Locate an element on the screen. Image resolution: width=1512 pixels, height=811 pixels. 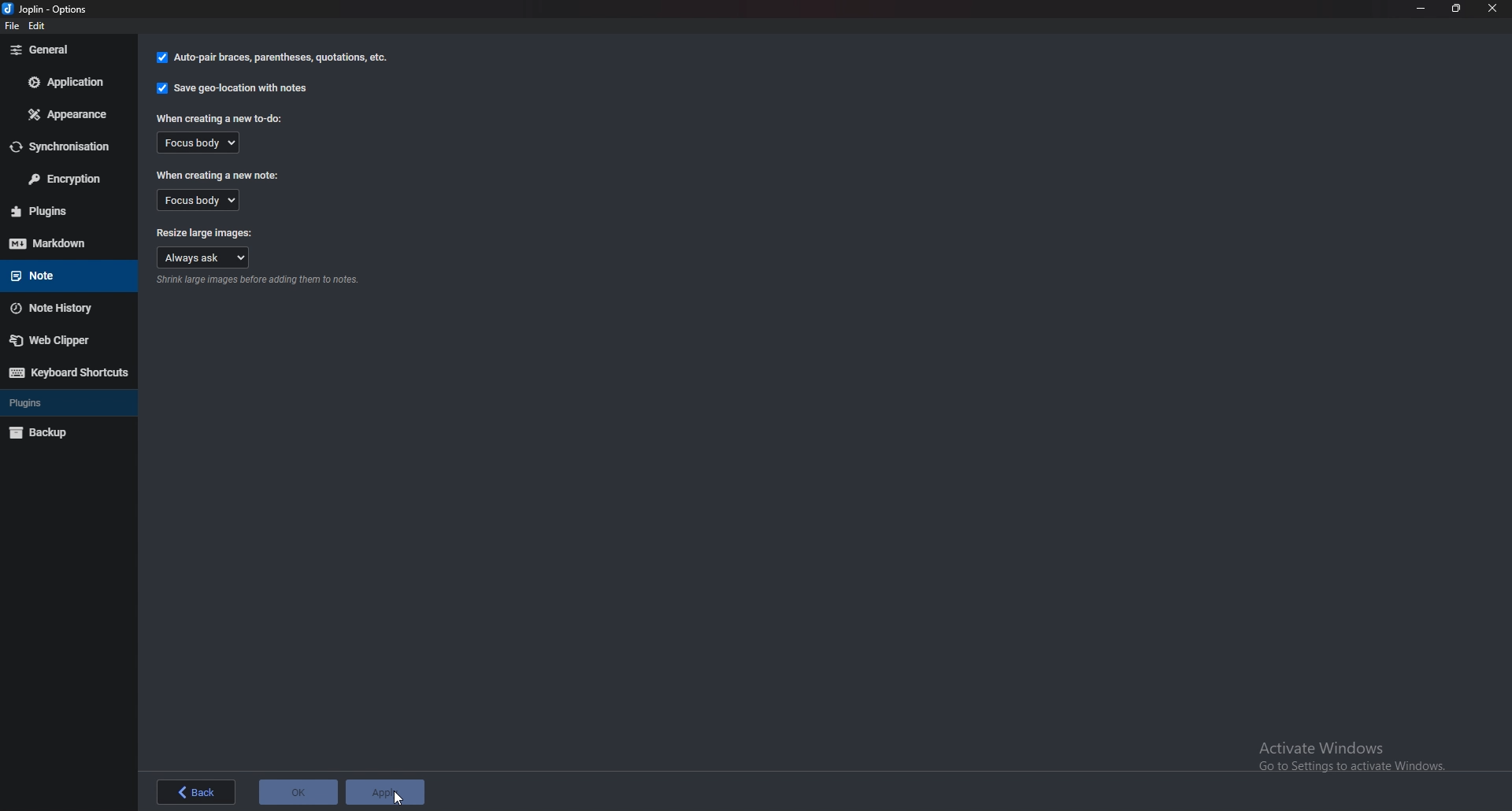
file is located at coordinates (11, 28).